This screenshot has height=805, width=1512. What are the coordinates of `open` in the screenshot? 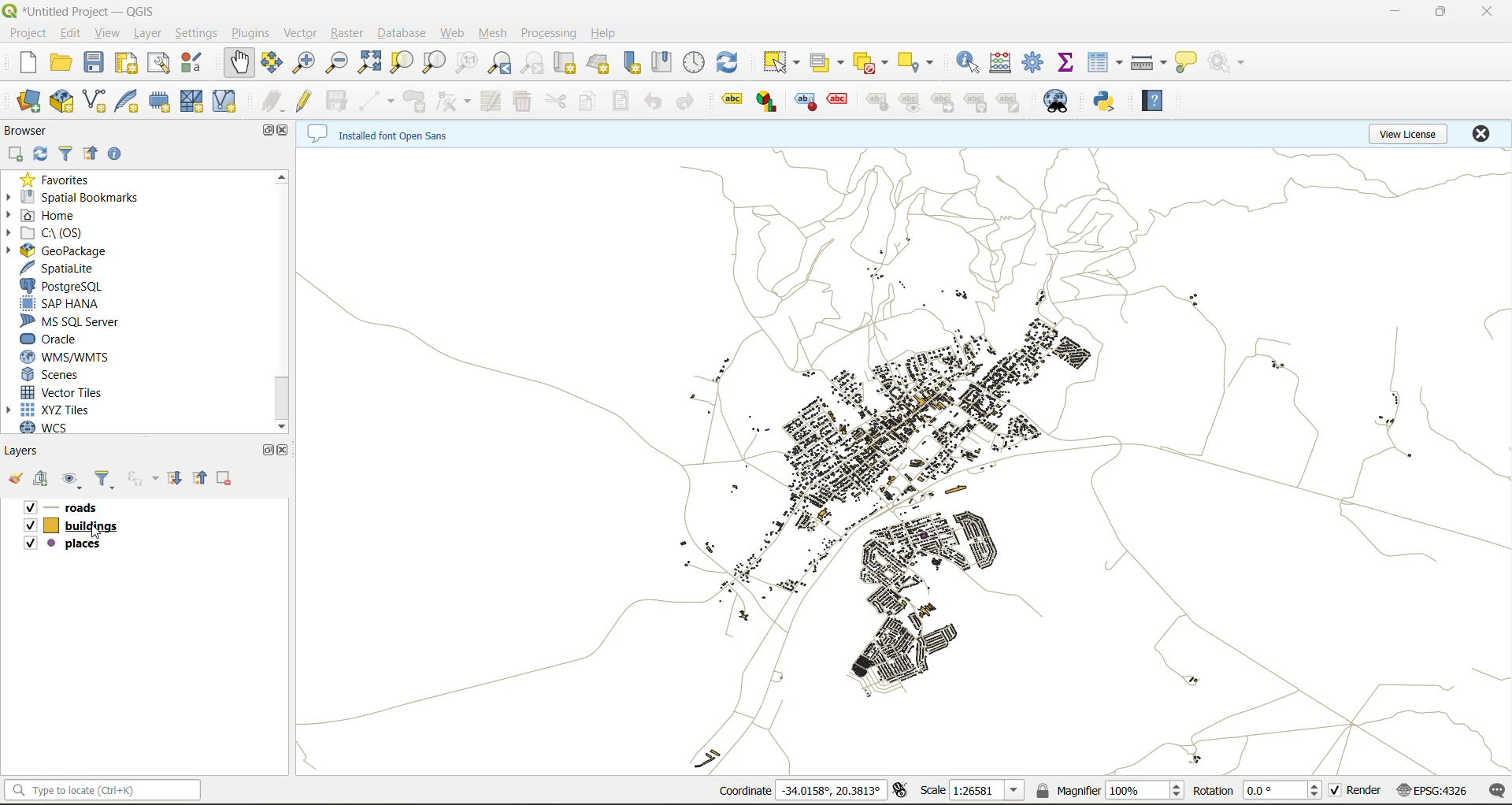 It's located at (59, 62).